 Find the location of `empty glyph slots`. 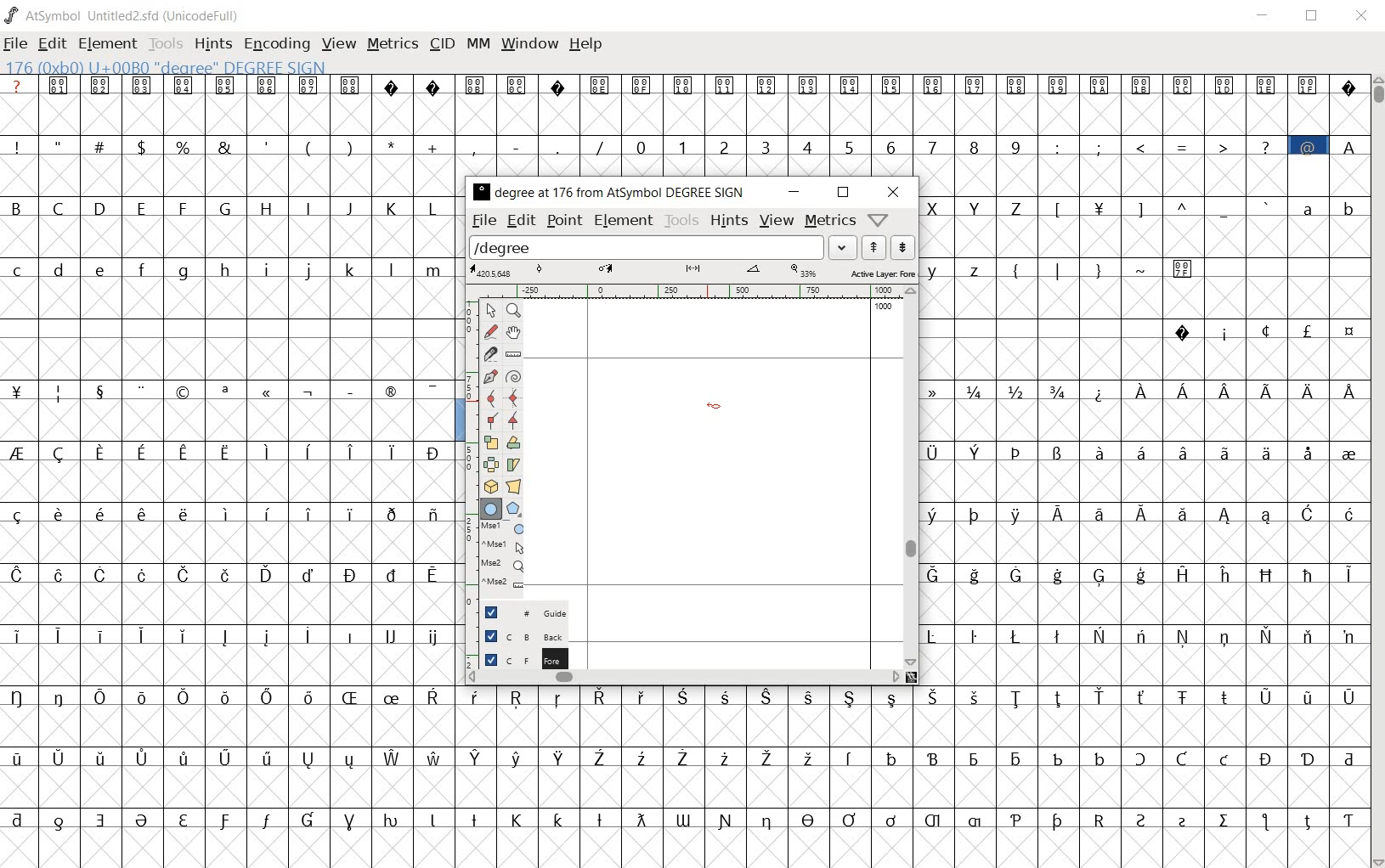

empty glyph slots is located at coordinates (232, 543).